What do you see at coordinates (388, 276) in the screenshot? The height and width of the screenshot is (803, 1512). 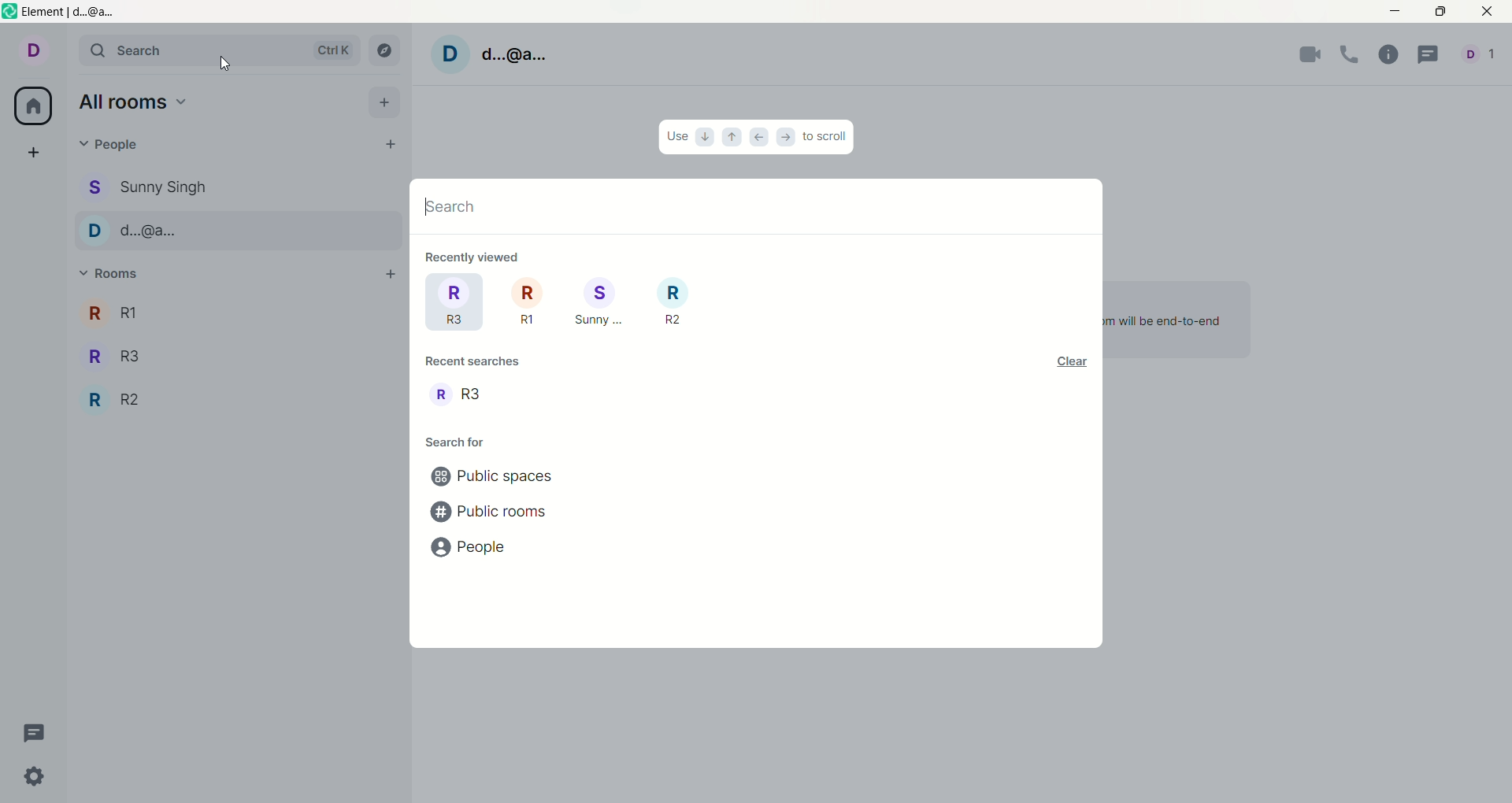 I see `add room` at bounding box center [388, 276].